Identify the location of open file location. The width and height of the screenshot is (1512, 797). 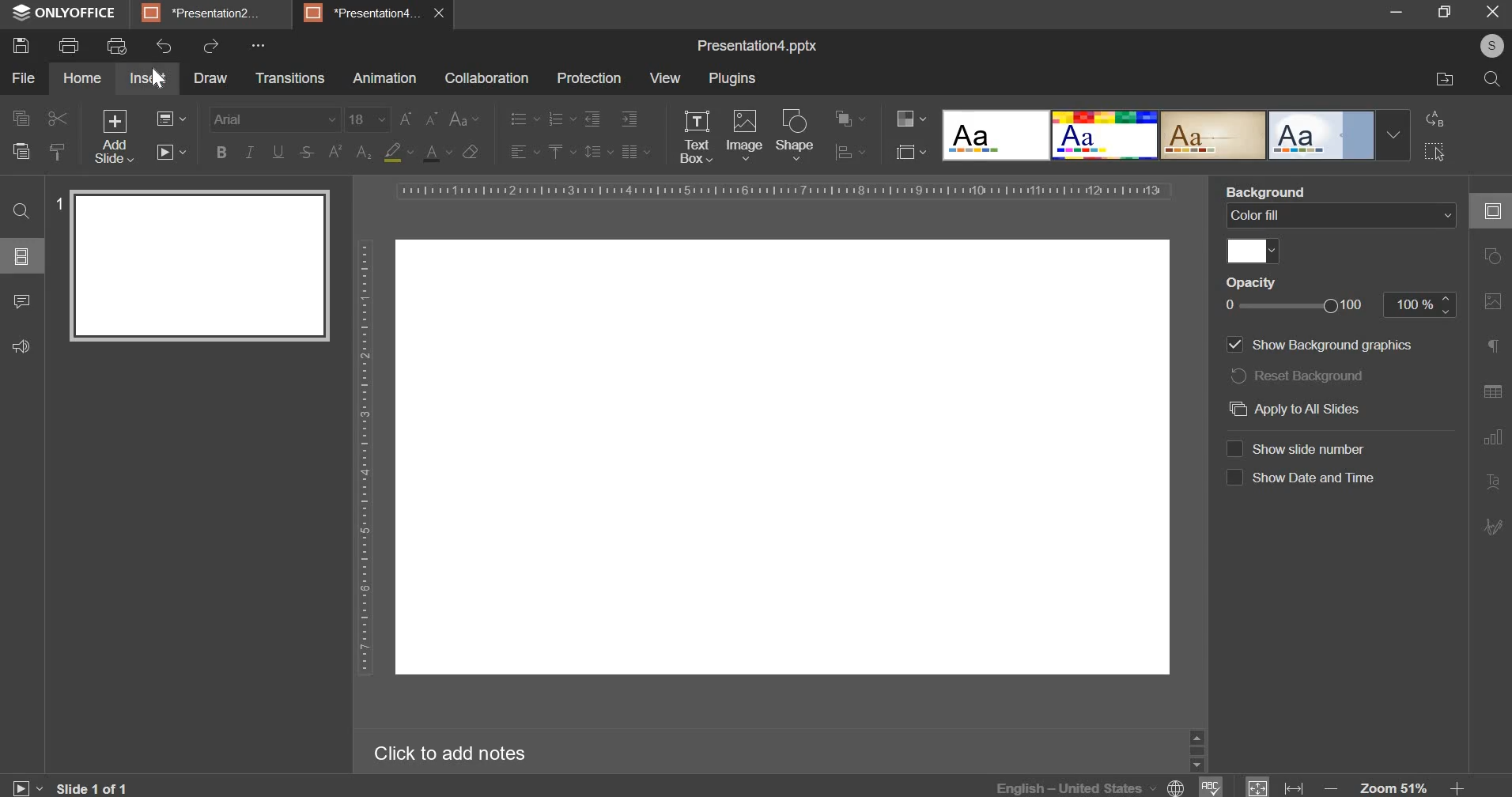
(1442, 81).